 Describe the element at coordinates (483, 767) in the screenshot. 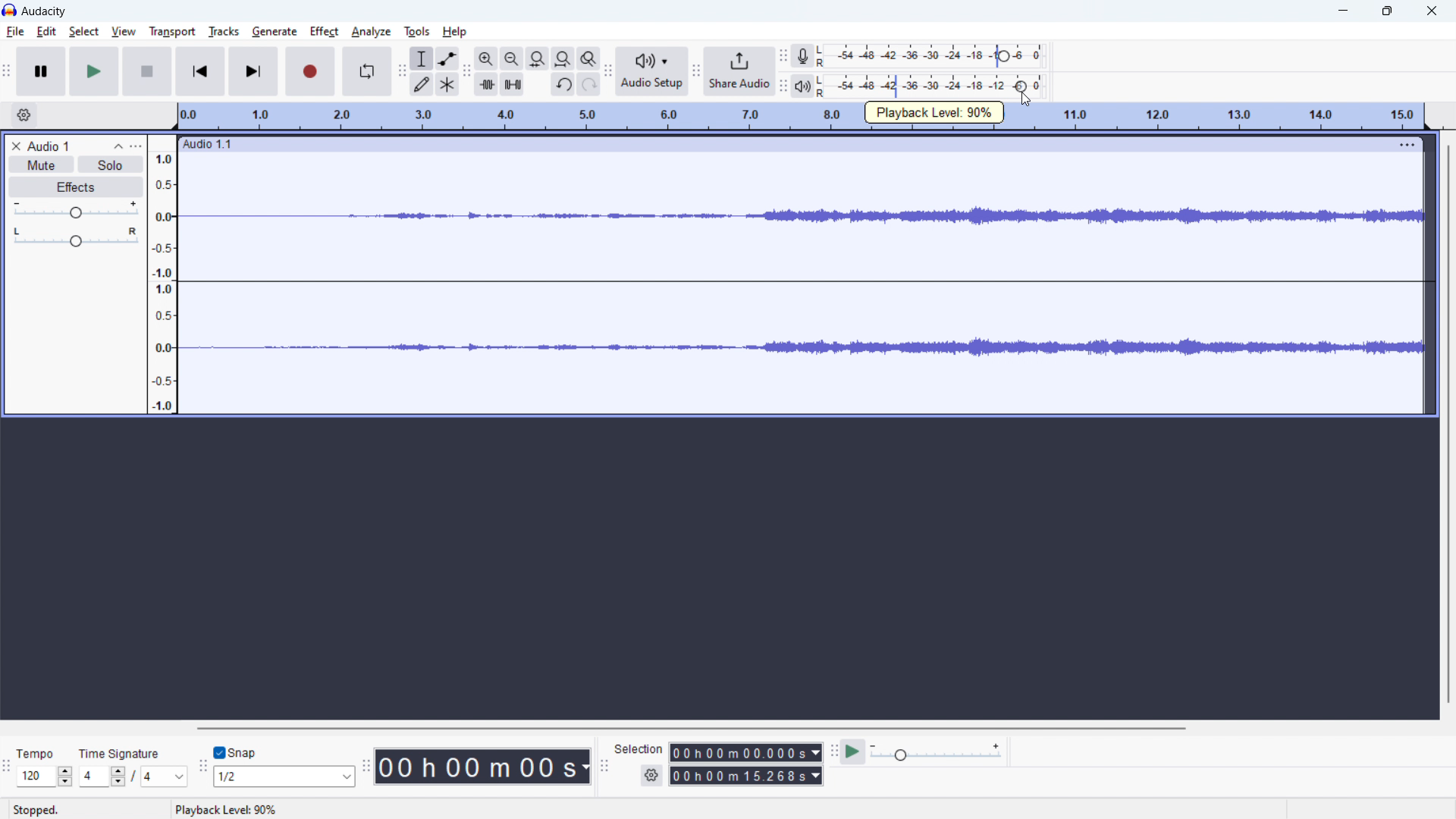

I see `time` at that location.